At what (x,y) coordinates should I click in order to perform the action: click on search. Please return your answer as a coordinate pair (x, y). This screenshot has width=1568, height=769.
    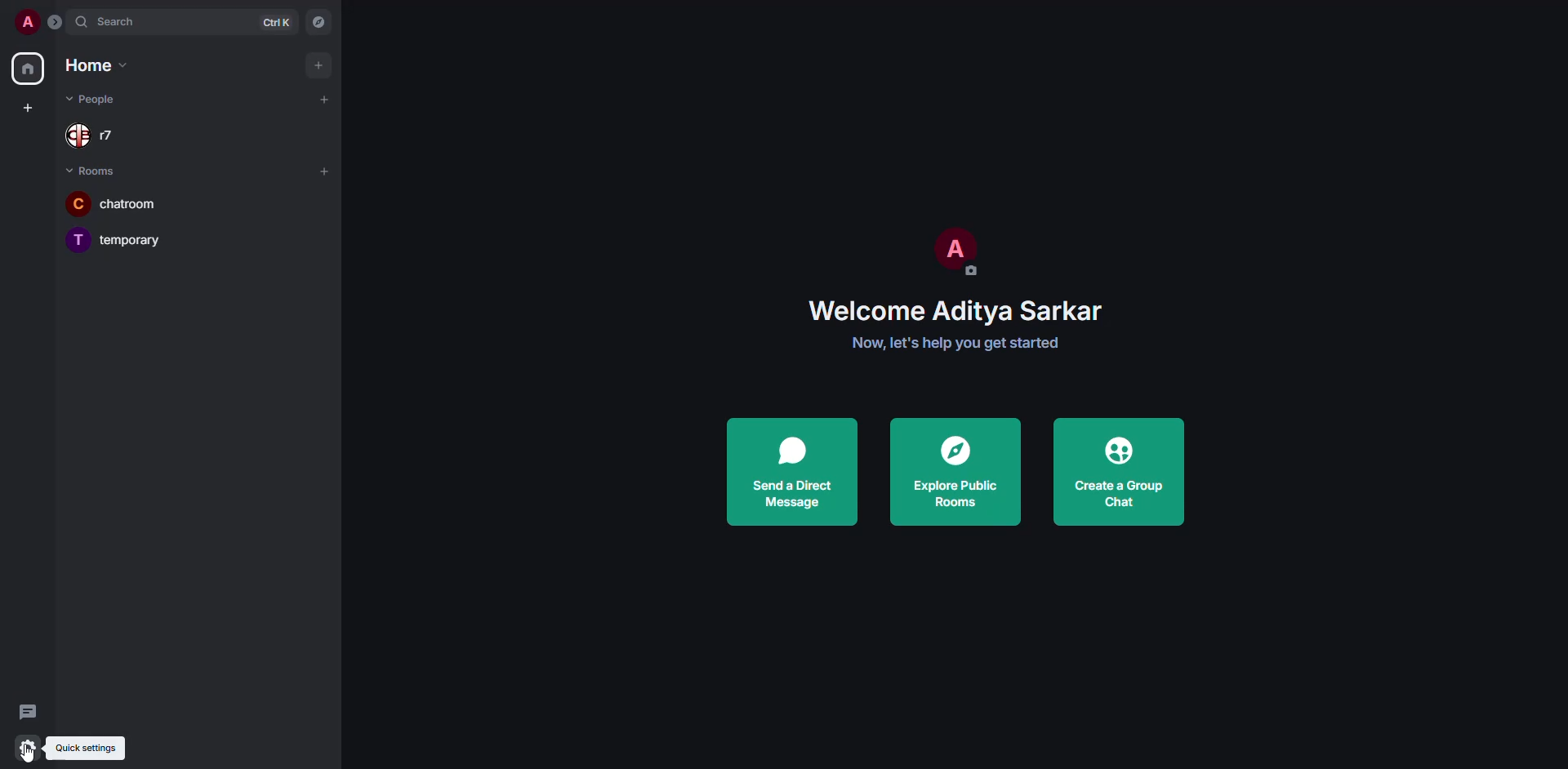
    Looking at the image, I should click on (124, 23).